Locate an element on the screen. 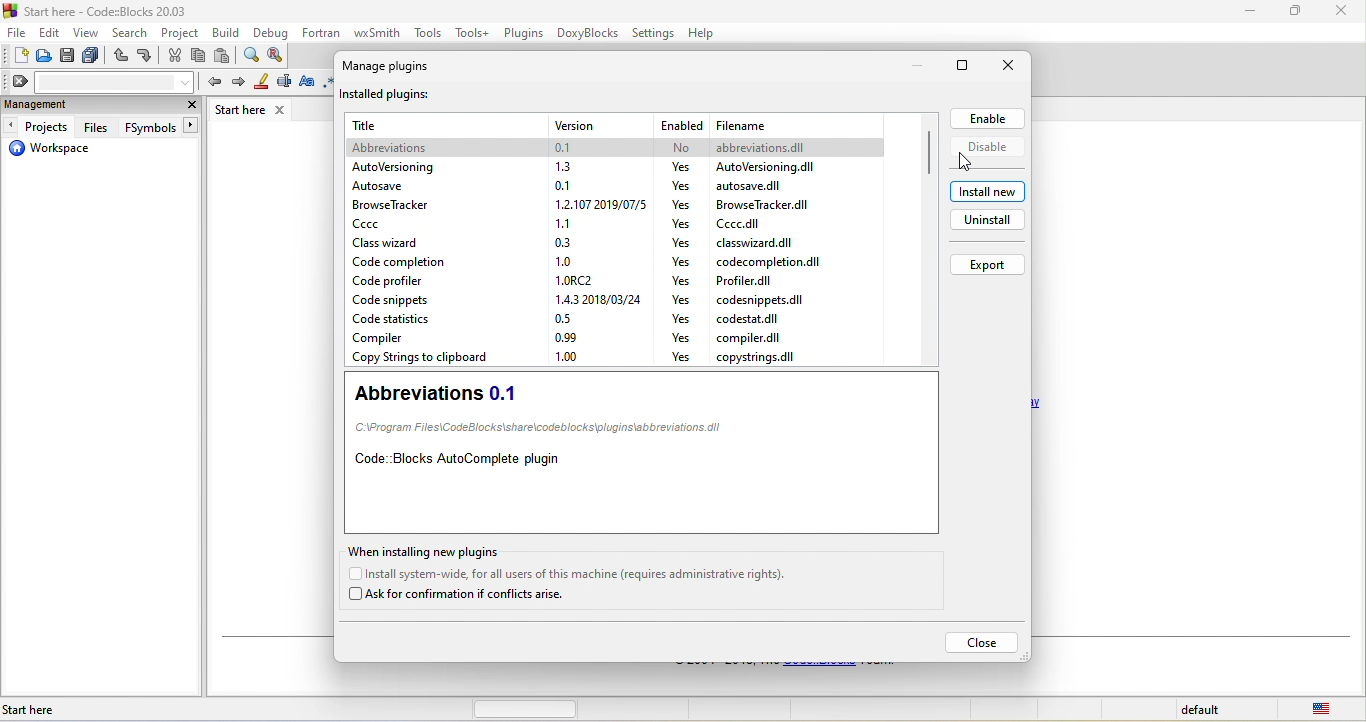 This screenshot has width=1366, height=722. help is located at coordinates (700, 32).